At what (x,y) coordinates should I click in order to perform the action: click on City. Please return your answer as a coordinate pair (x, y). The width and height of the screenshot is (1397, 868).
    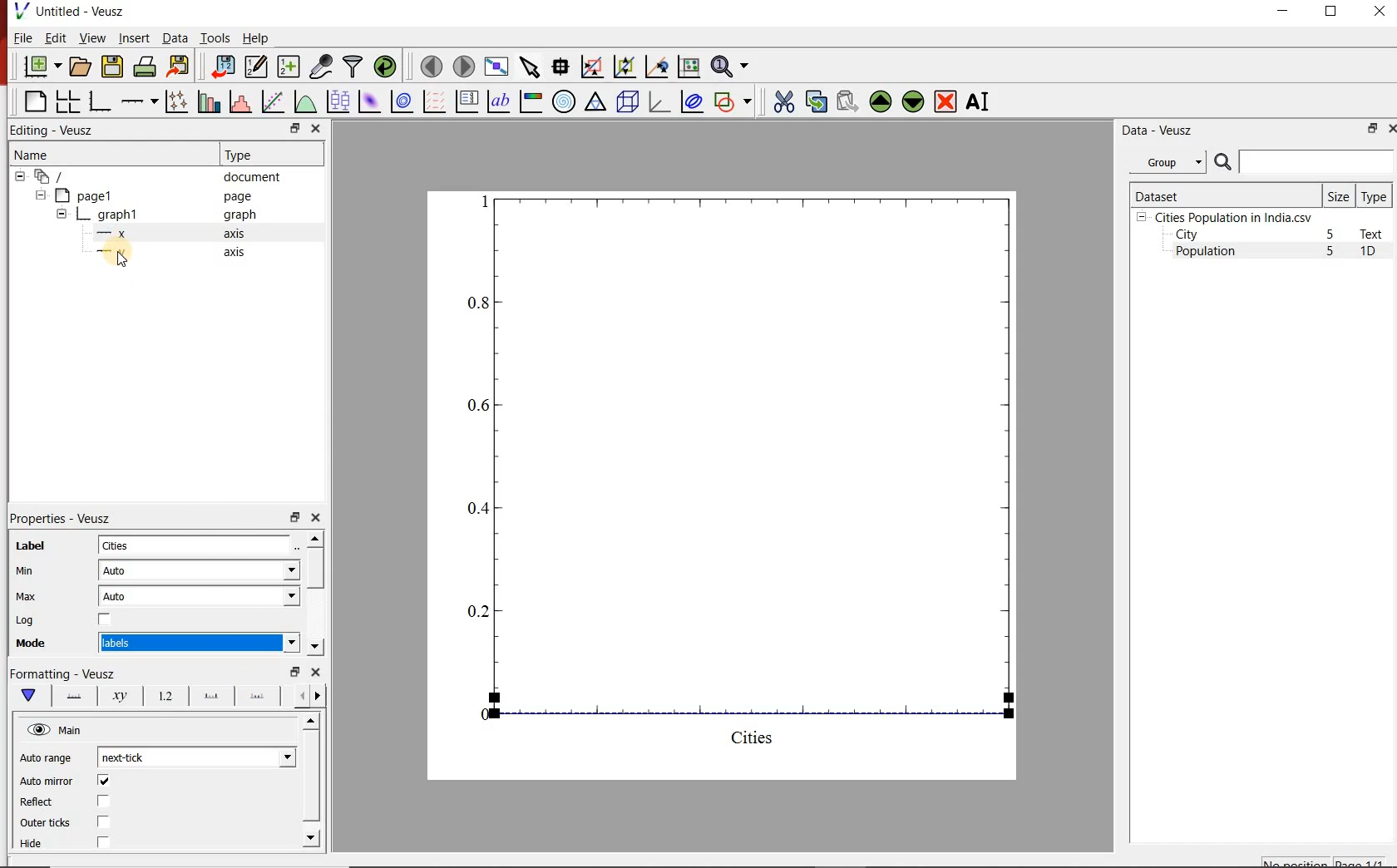
    Looking at the image, I should click on (1187, 234).